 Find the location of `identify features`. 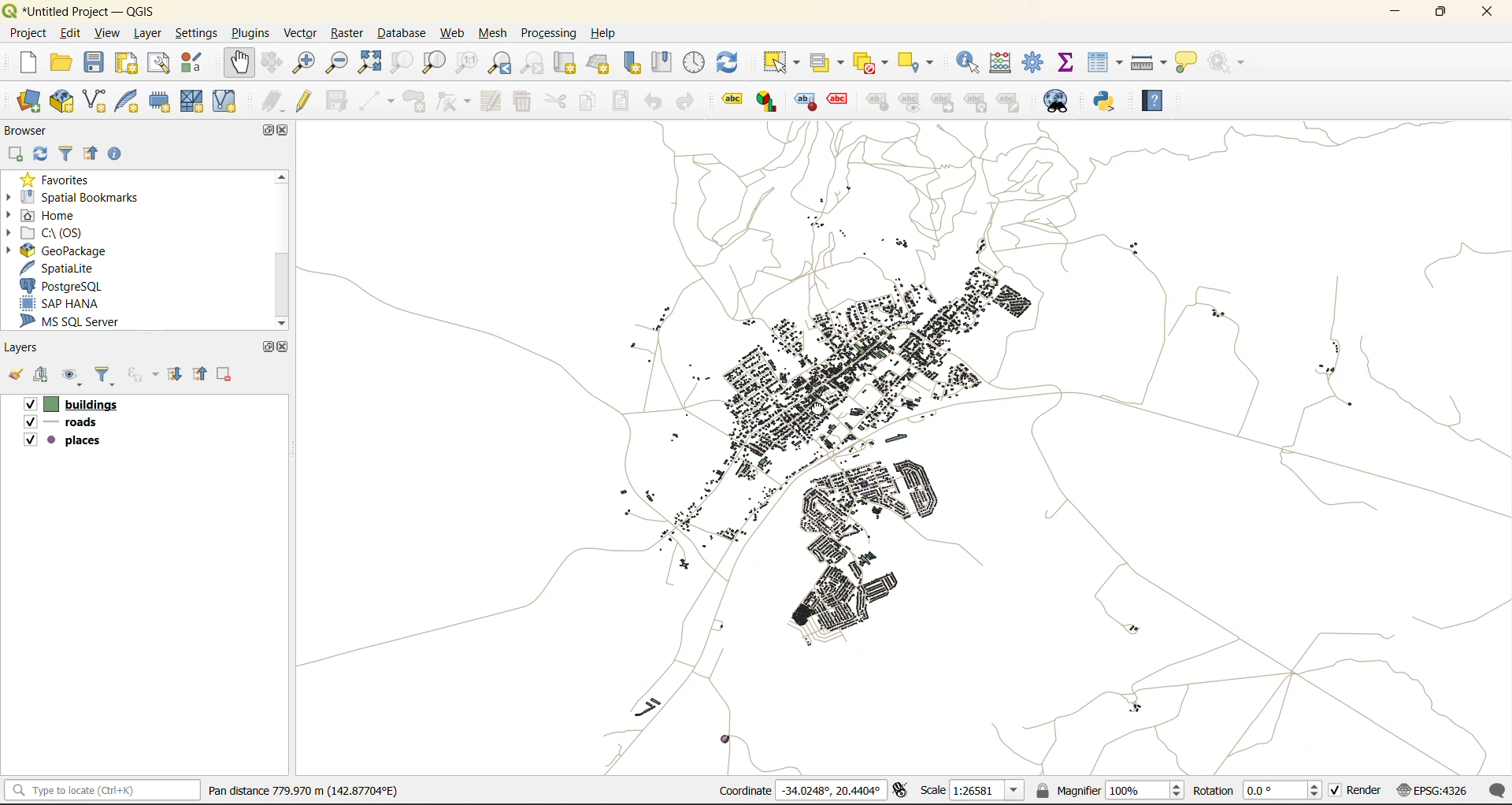

identify features is located at coordinates (969, 65).